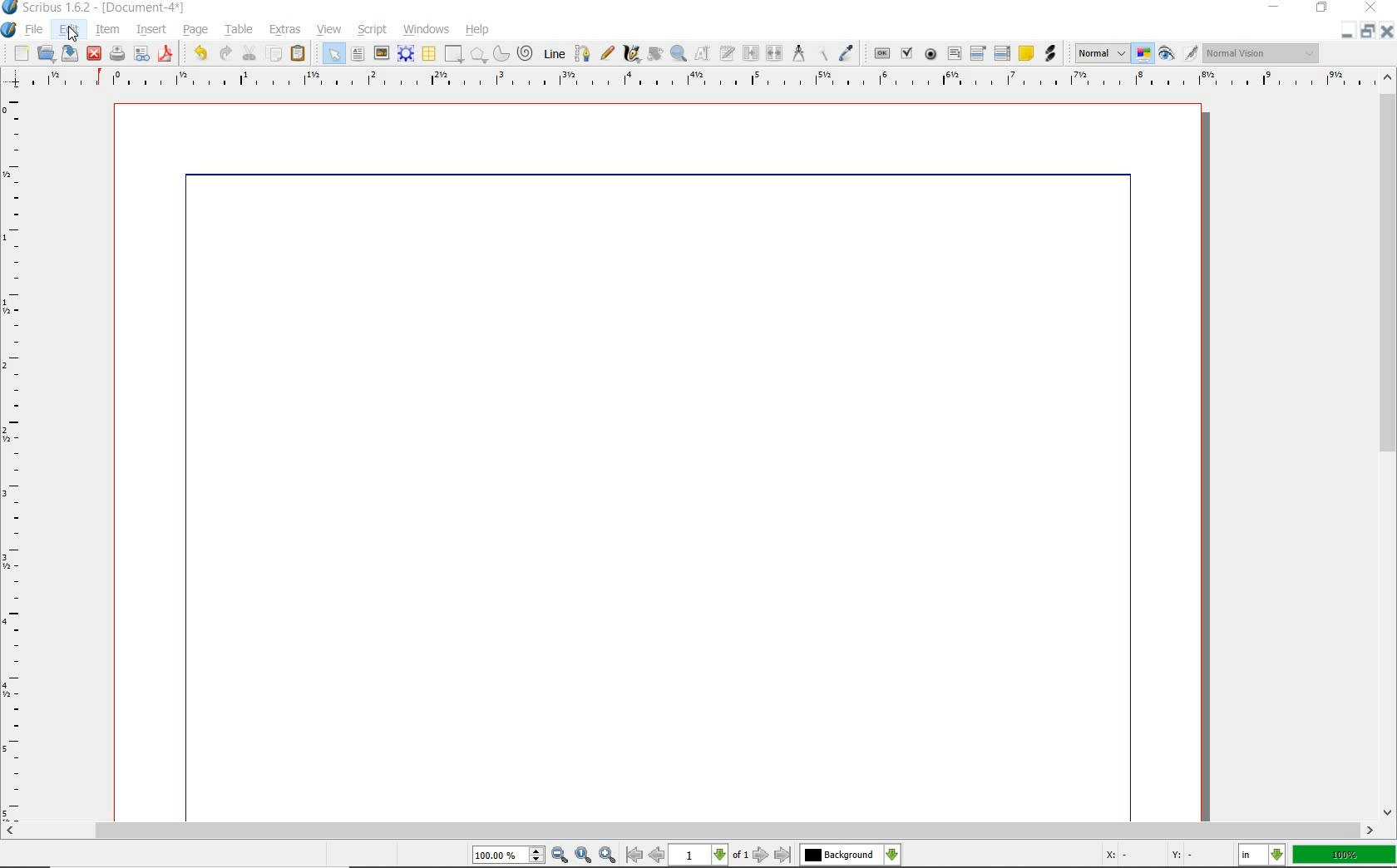 The image size is (1397, 868). I want to click on line, so click(553, 53).